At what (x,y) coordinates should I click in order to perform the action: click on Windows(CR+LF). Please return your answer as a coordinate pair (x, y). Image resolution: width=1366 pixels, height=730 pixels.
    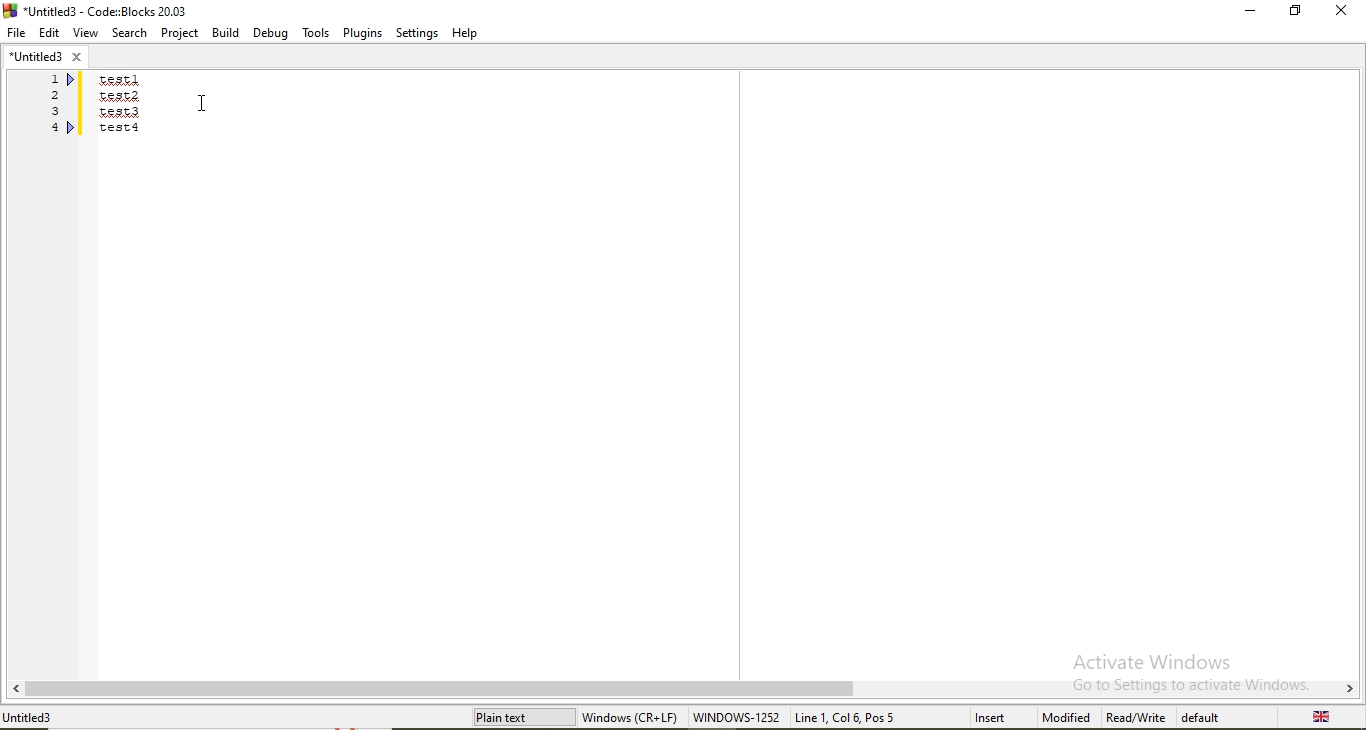
    Looking at the image, I should click on (632, 715).